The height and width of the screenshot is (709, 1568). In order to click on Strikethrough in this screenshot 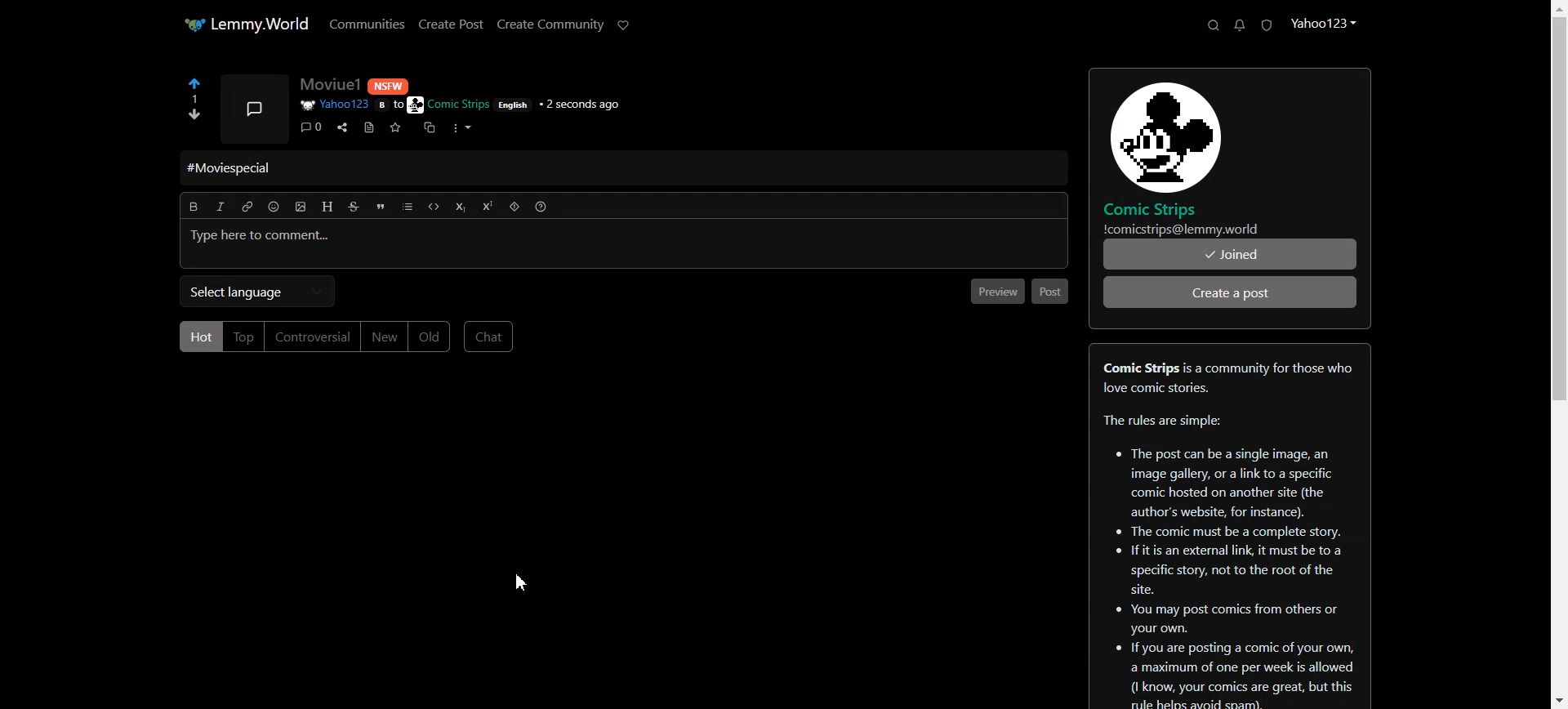, I will do `click(353, 206)`.